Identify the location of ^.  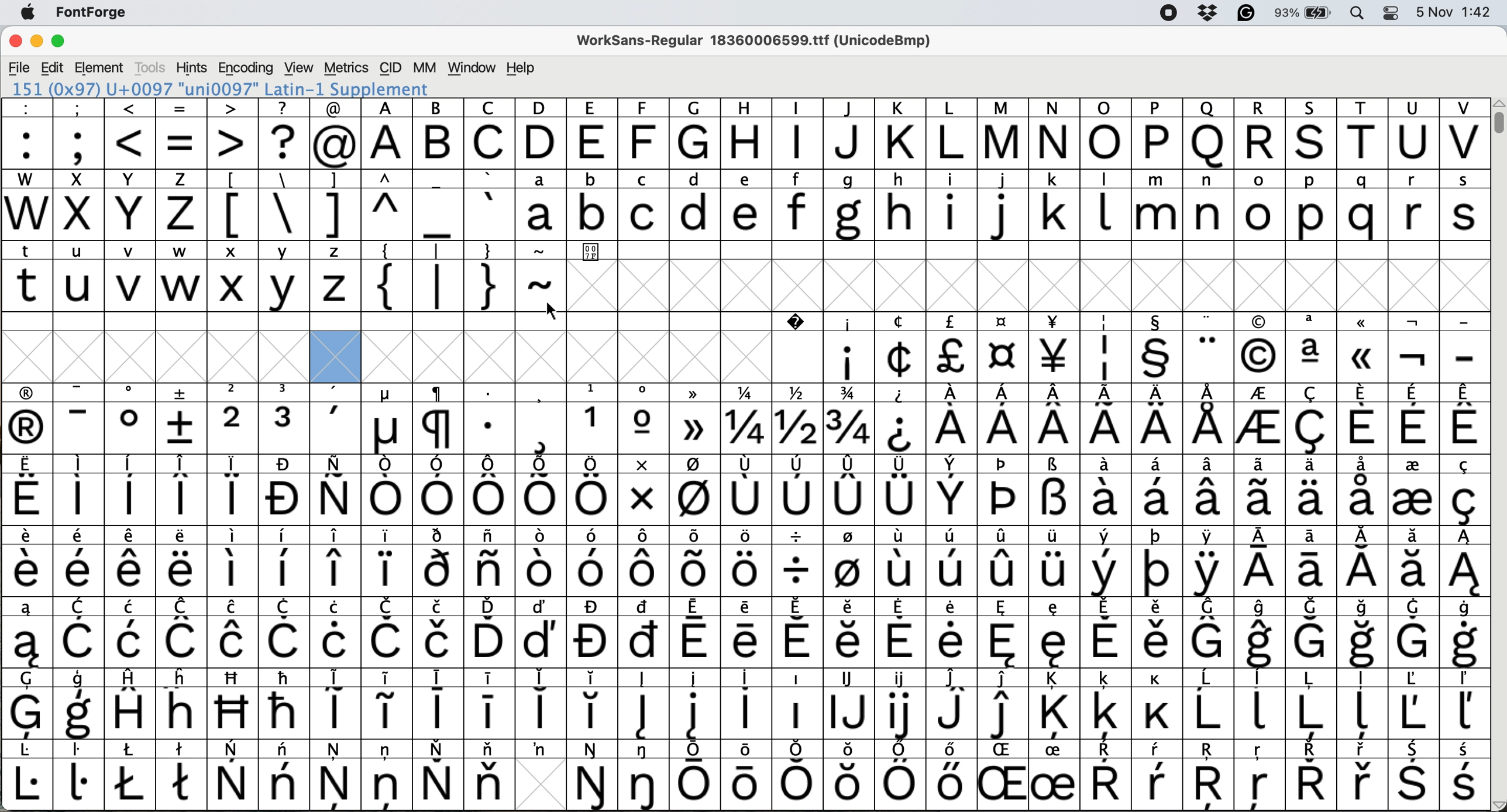
(384, 205).